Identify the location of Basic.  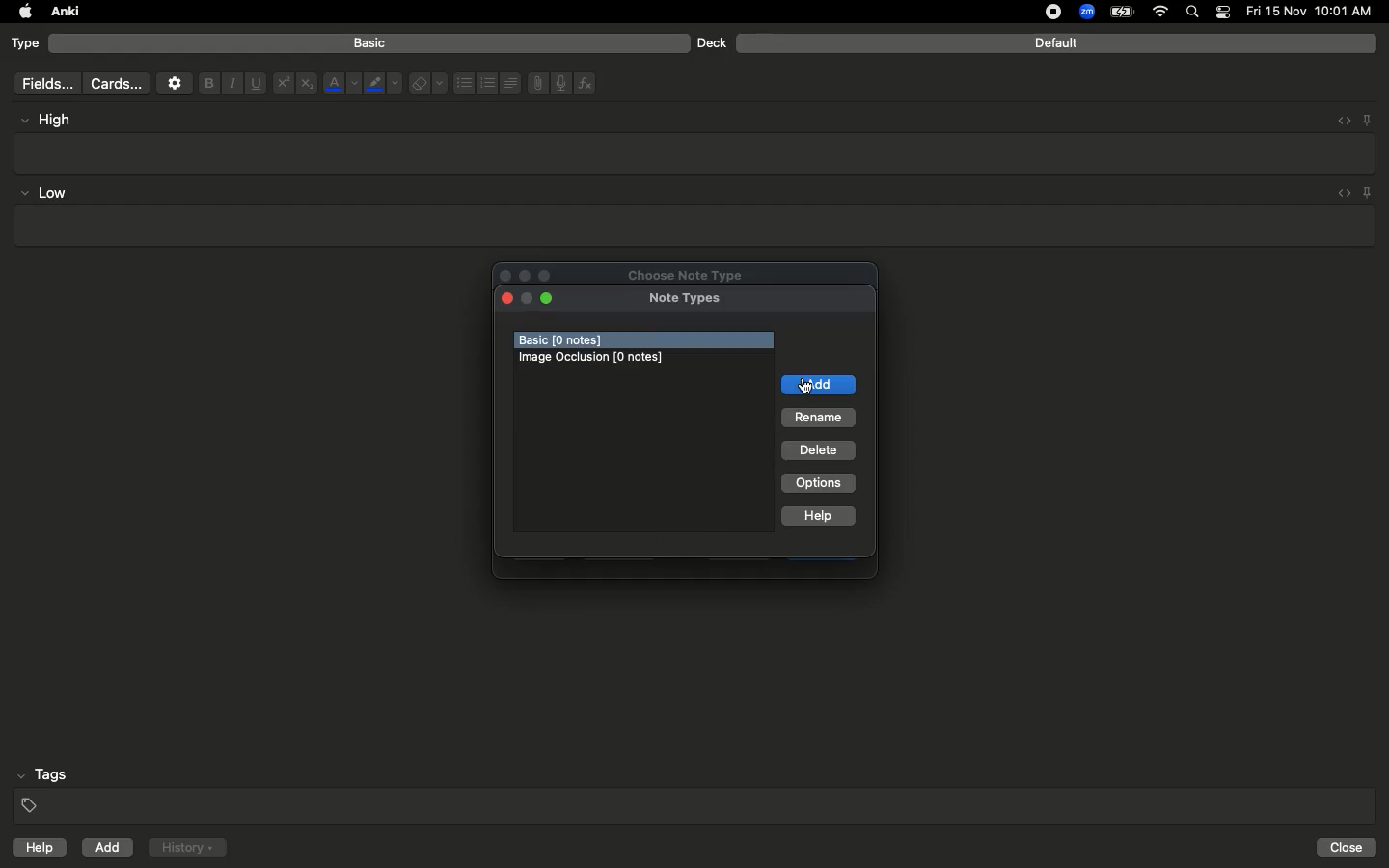
(573, 339).